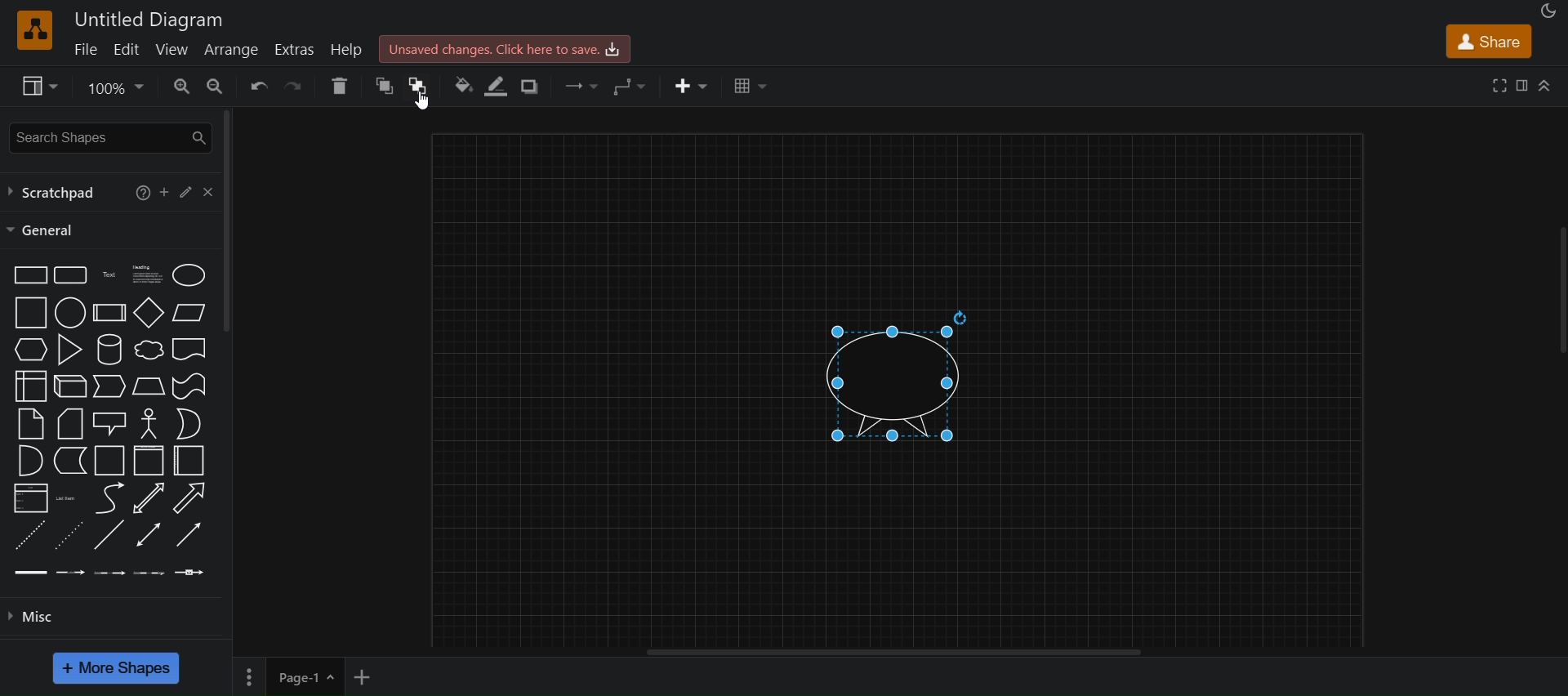 The image size is (1568, 696). What do you see at coordinates (31, 311) in the screenshot?
I see `square` at bounding box center [31, 311].